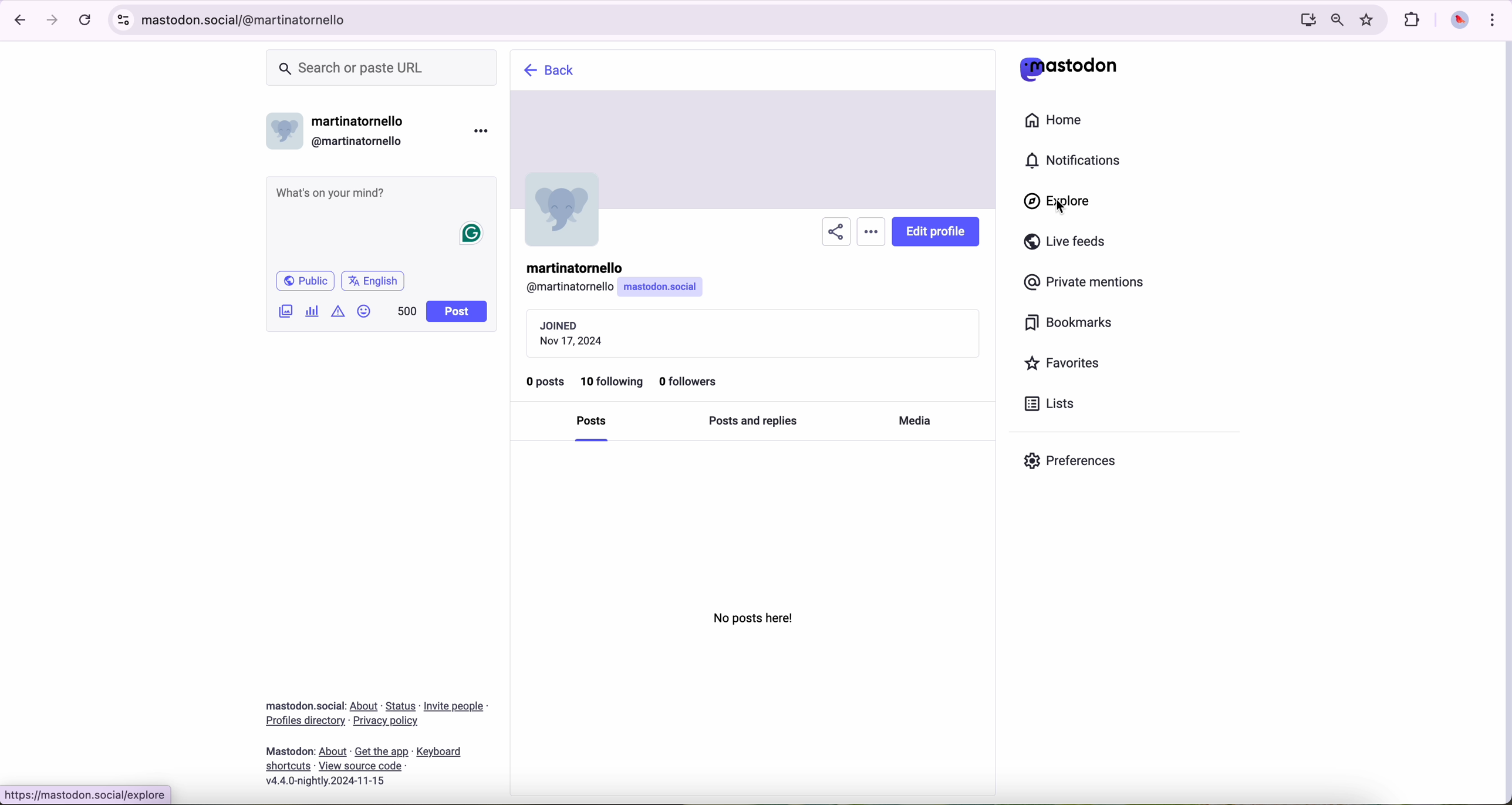 The height and width of the screenshot is (805, 1512). Describe the element at coordinates (1088, 284) in the screenshot. I see `private mentions` at that location.